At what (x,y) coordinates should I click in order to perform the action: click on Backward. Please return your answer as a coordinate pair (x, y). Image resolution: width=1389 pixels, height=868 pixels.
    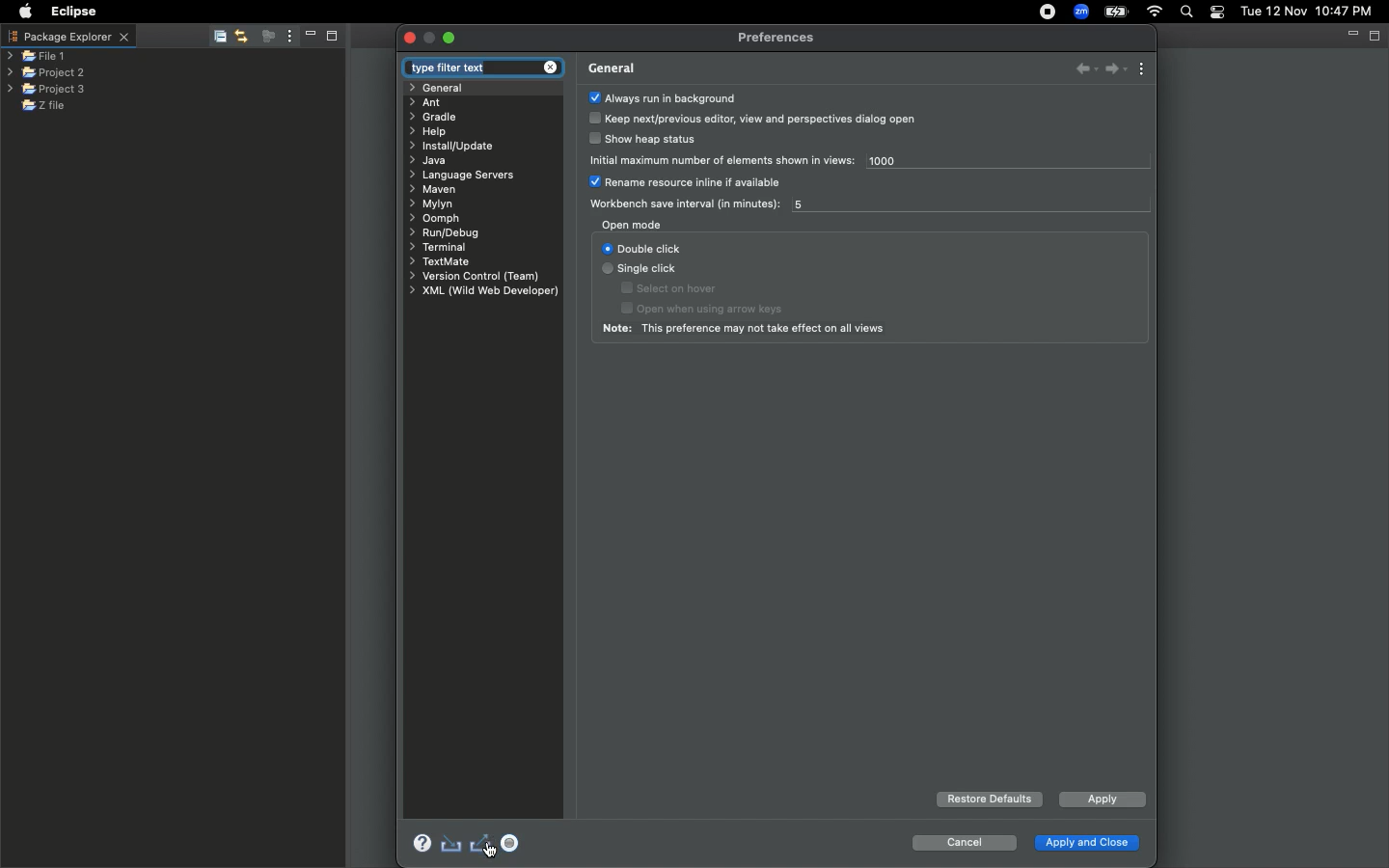
    Looking at the image, I should click on (1079, 70).